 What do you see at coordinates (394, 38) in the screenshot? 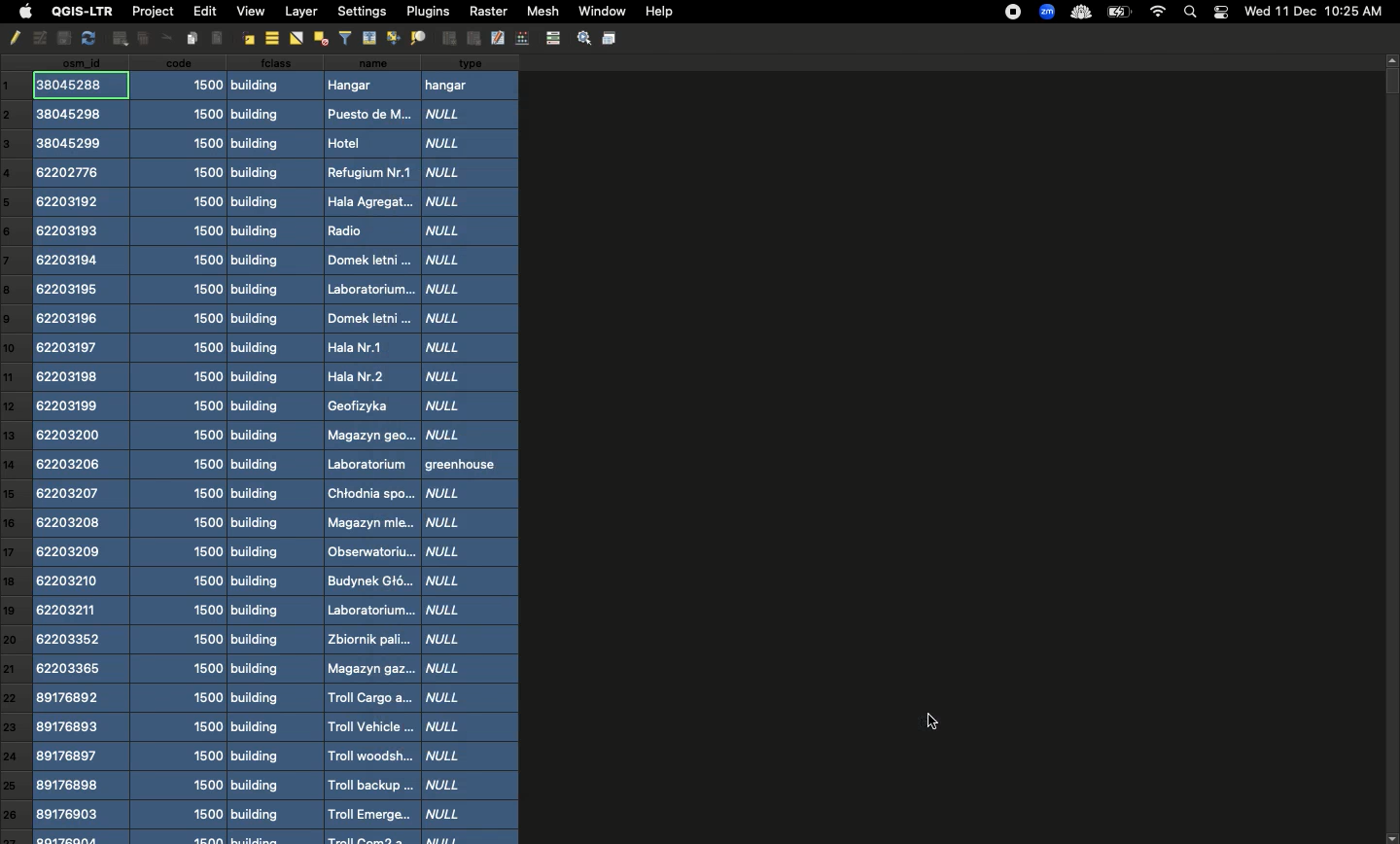
I see `Align Bottom` at bounding box center [394, 38].